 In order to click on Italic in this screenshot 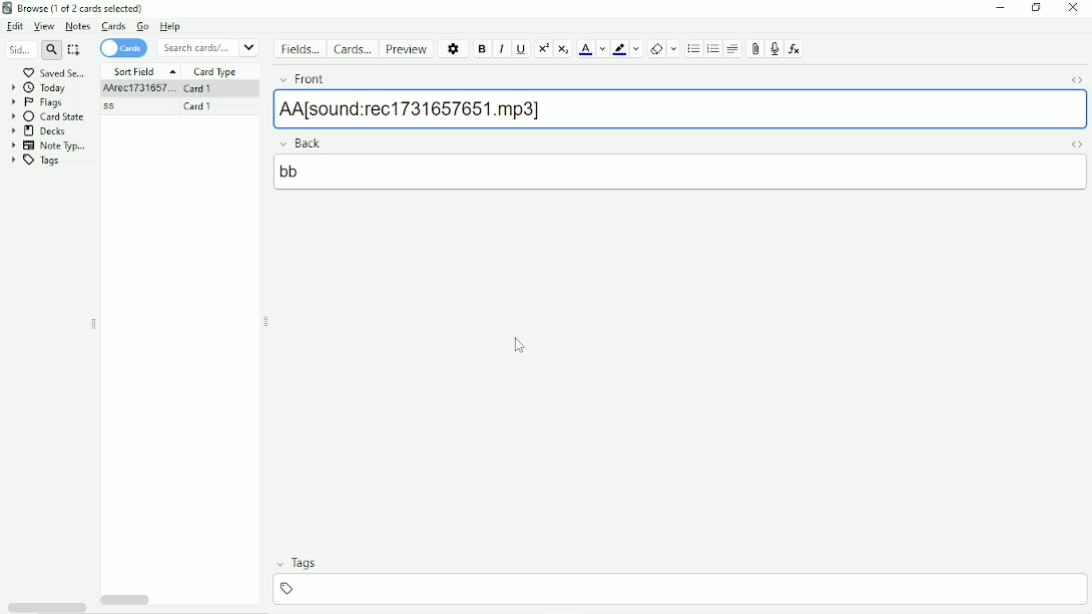, I will do `click(502, 50)`.